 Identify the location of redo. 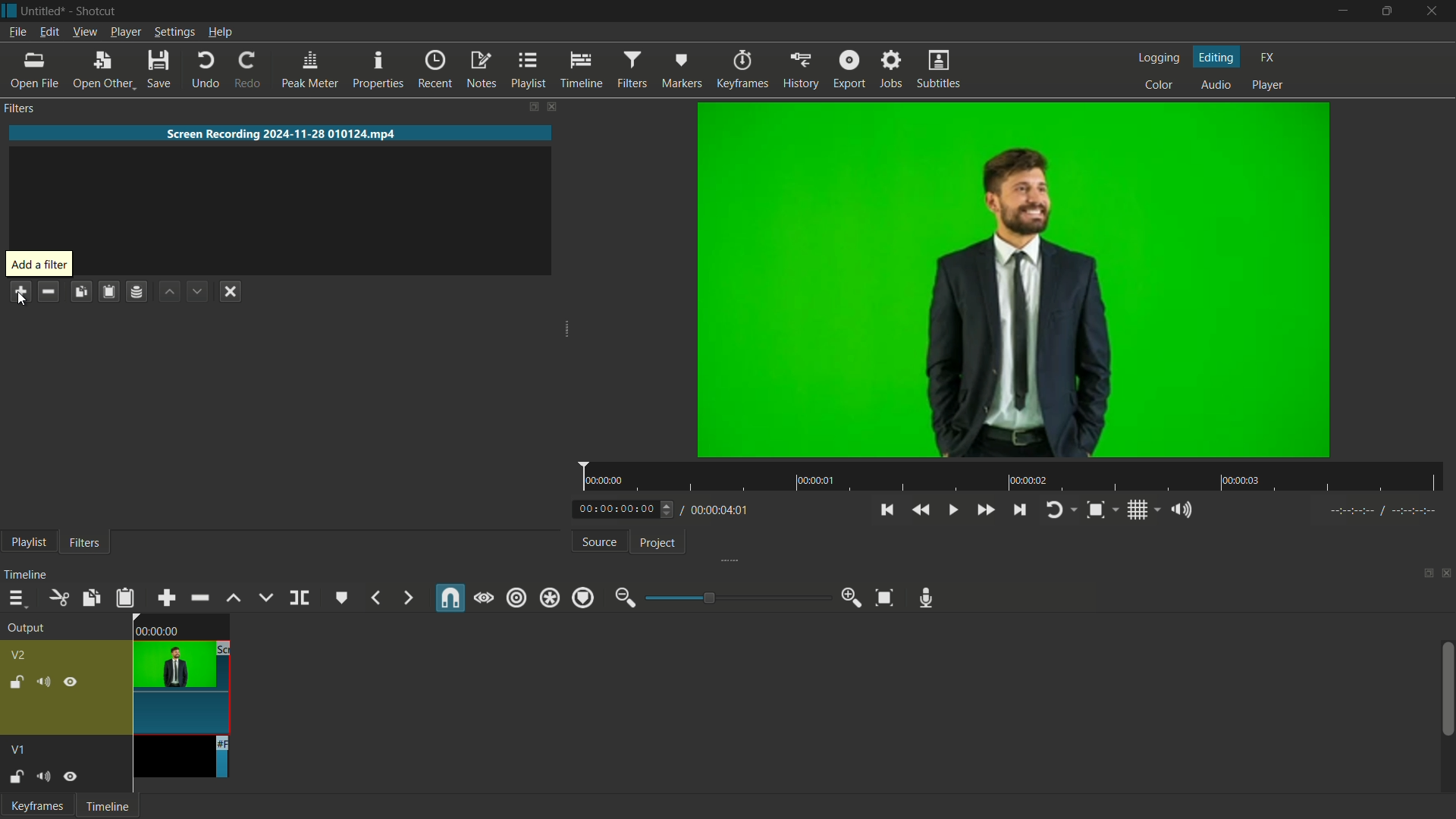
(245, 70).